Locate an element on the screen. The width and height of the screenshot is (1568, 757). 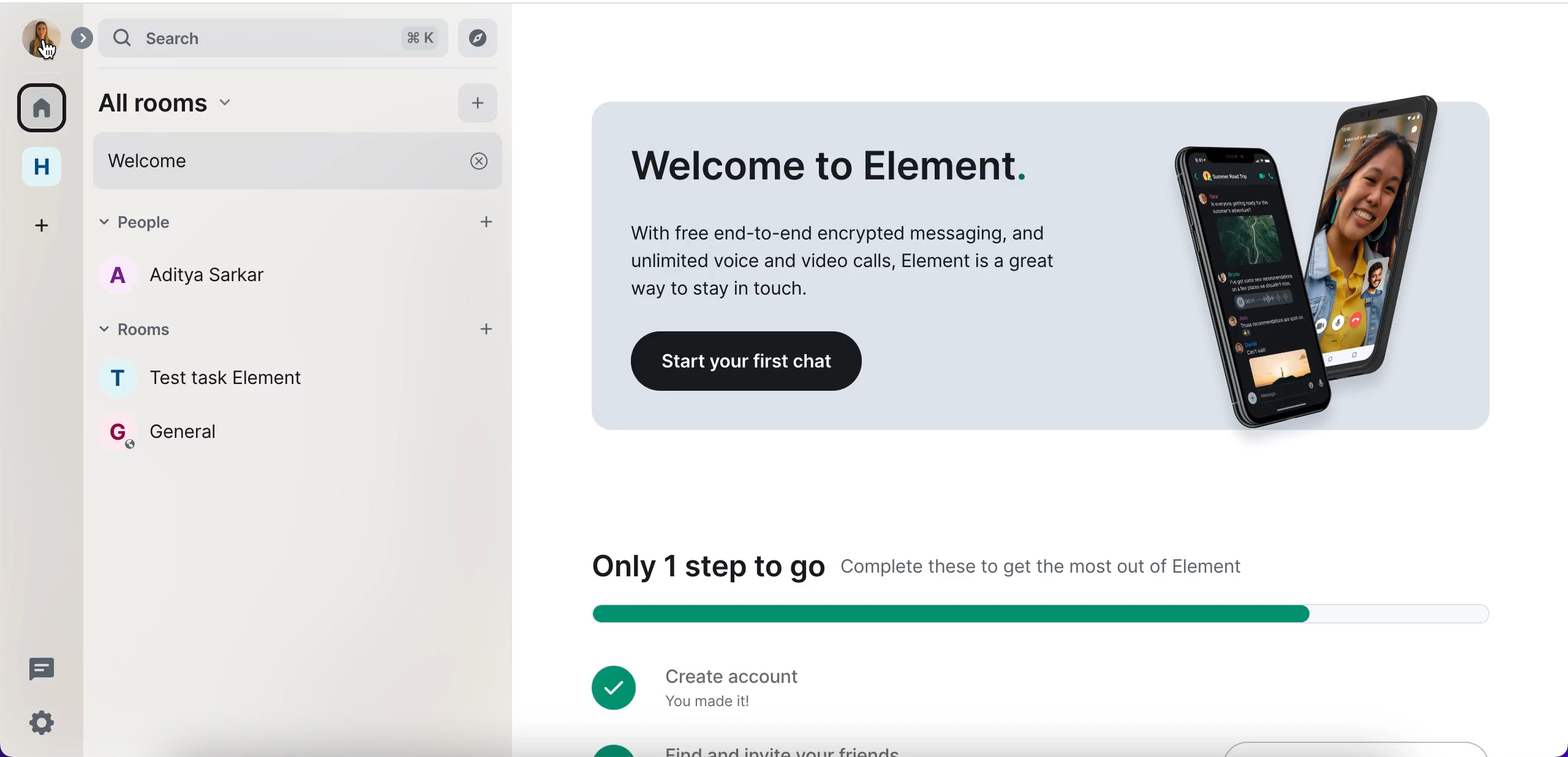
image is located at coordinates (1295, 250).